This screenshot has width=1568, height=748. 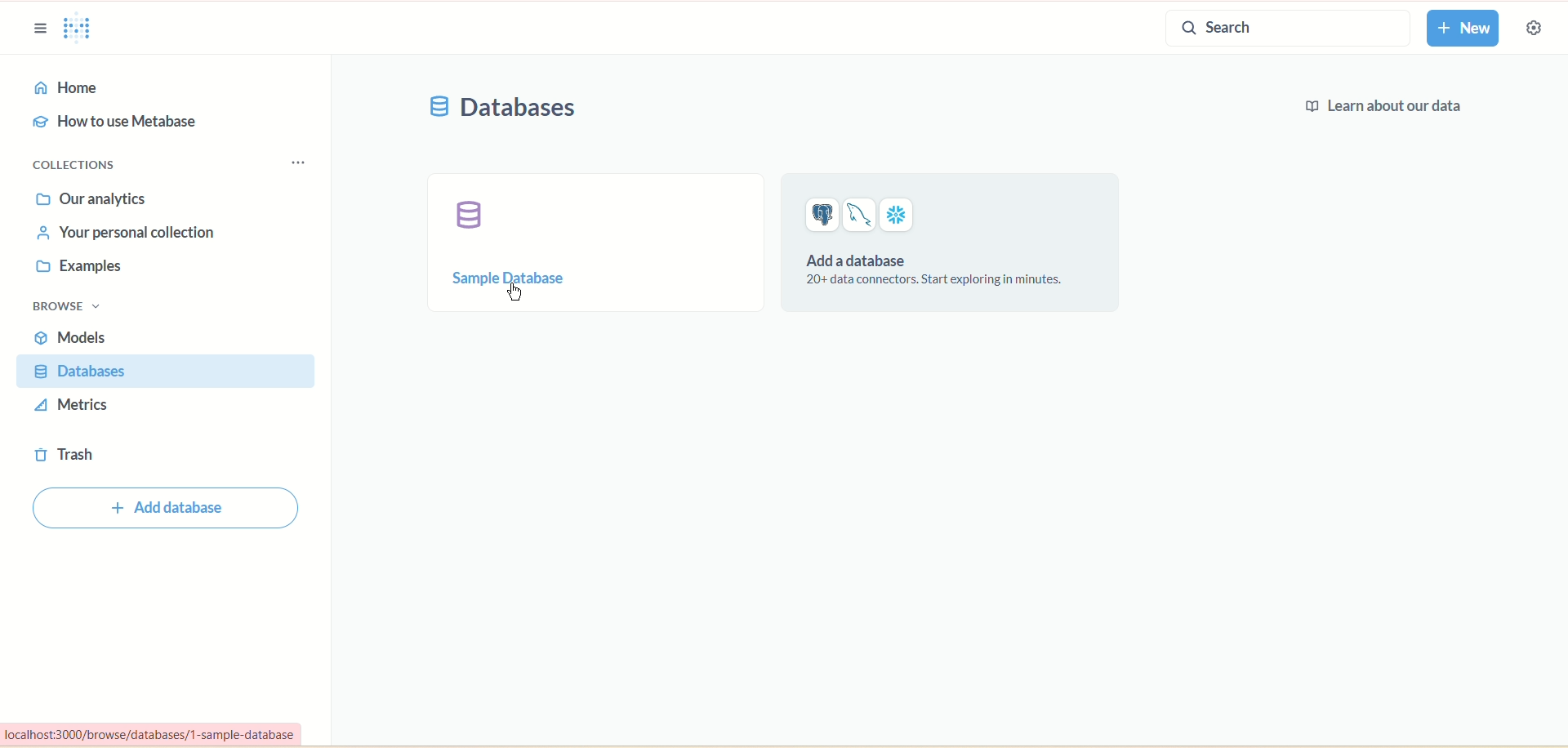 What do you see at coordinates (129, 233) in the screenshot?
I see `your personal collection` at bounding box center [129, 233].